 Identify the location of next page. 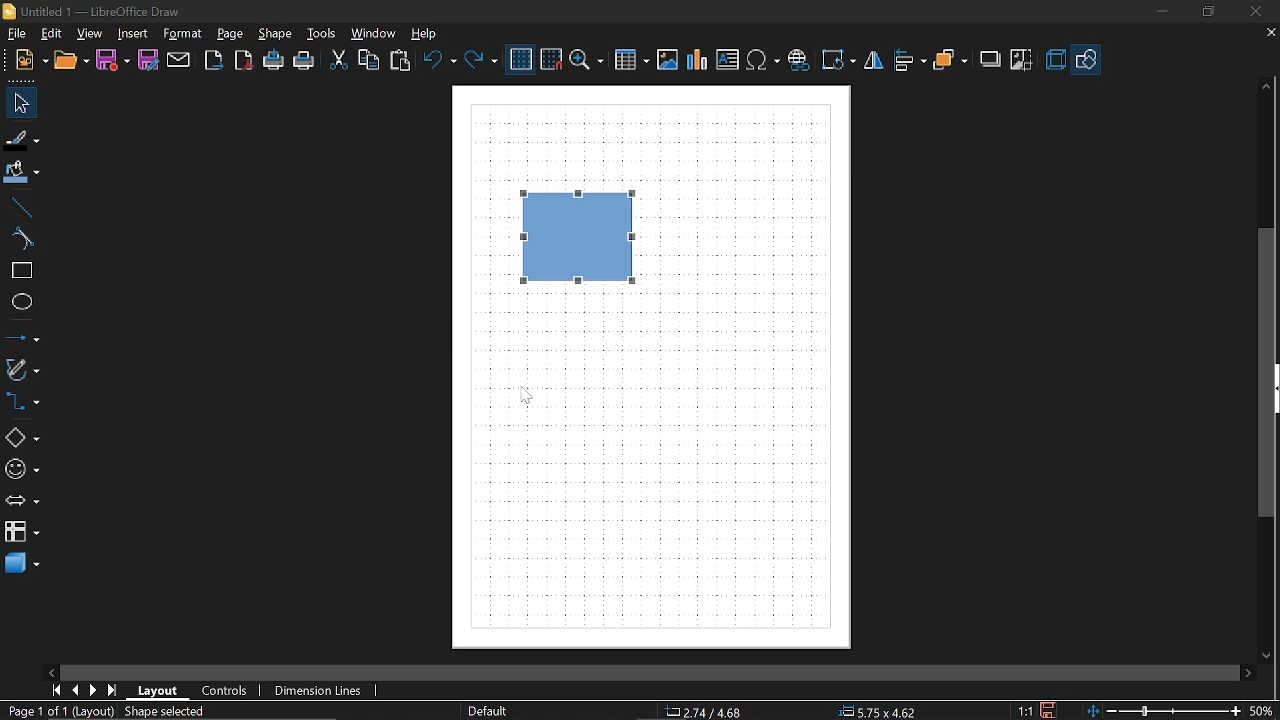
(94, 691).